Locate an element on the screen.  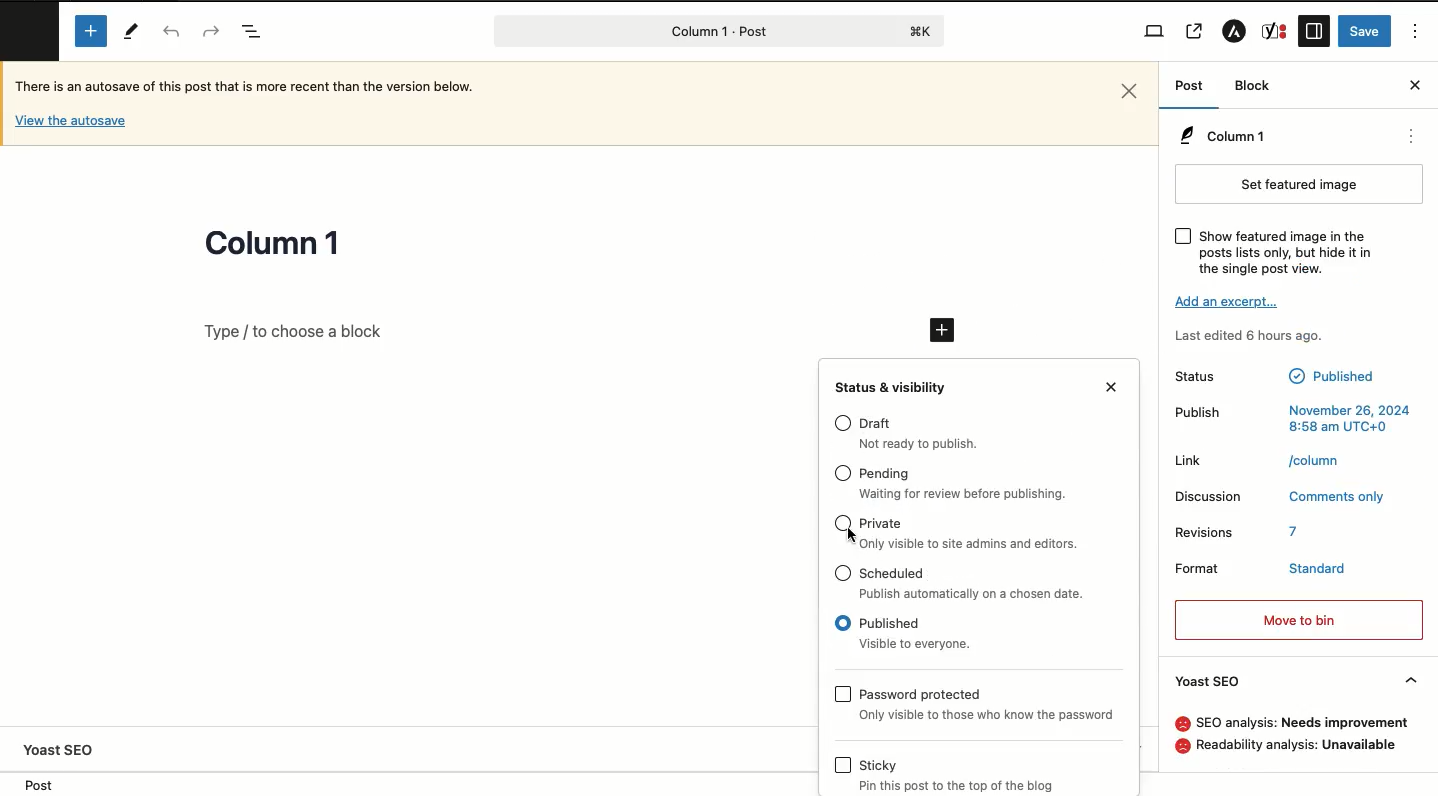
Close is located at coordinates (1131, 91).